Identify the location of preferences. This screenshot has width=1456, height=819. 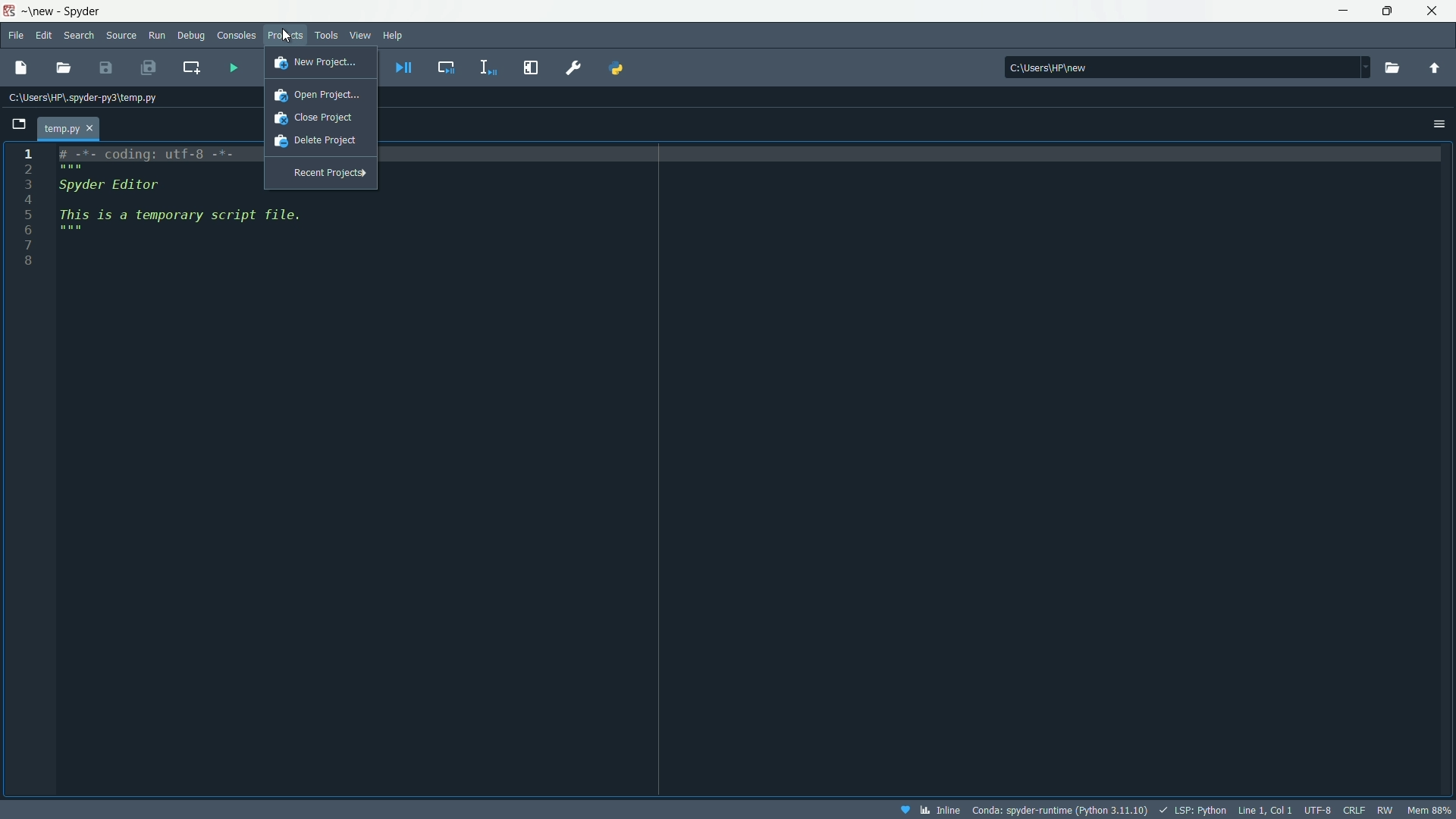
(576, 67).